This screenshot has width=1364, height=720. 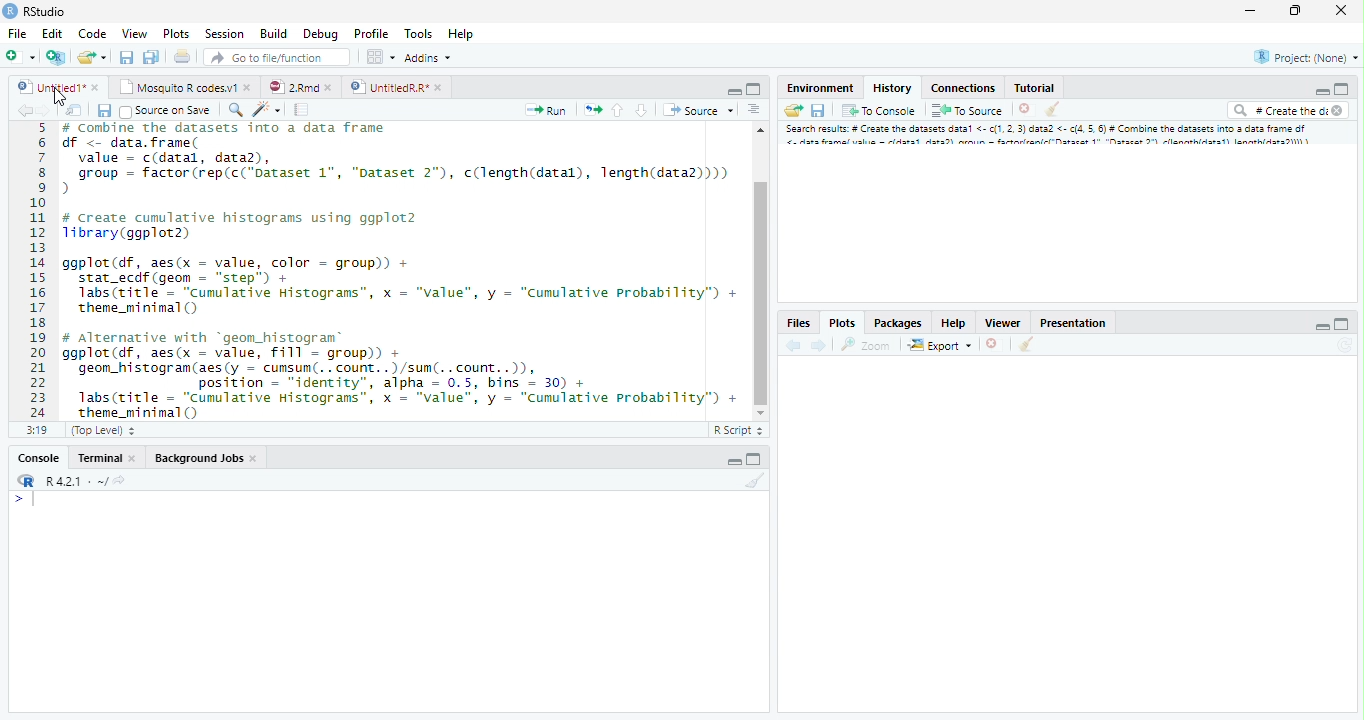 I want to click on Run, so click(x=546, y=110).